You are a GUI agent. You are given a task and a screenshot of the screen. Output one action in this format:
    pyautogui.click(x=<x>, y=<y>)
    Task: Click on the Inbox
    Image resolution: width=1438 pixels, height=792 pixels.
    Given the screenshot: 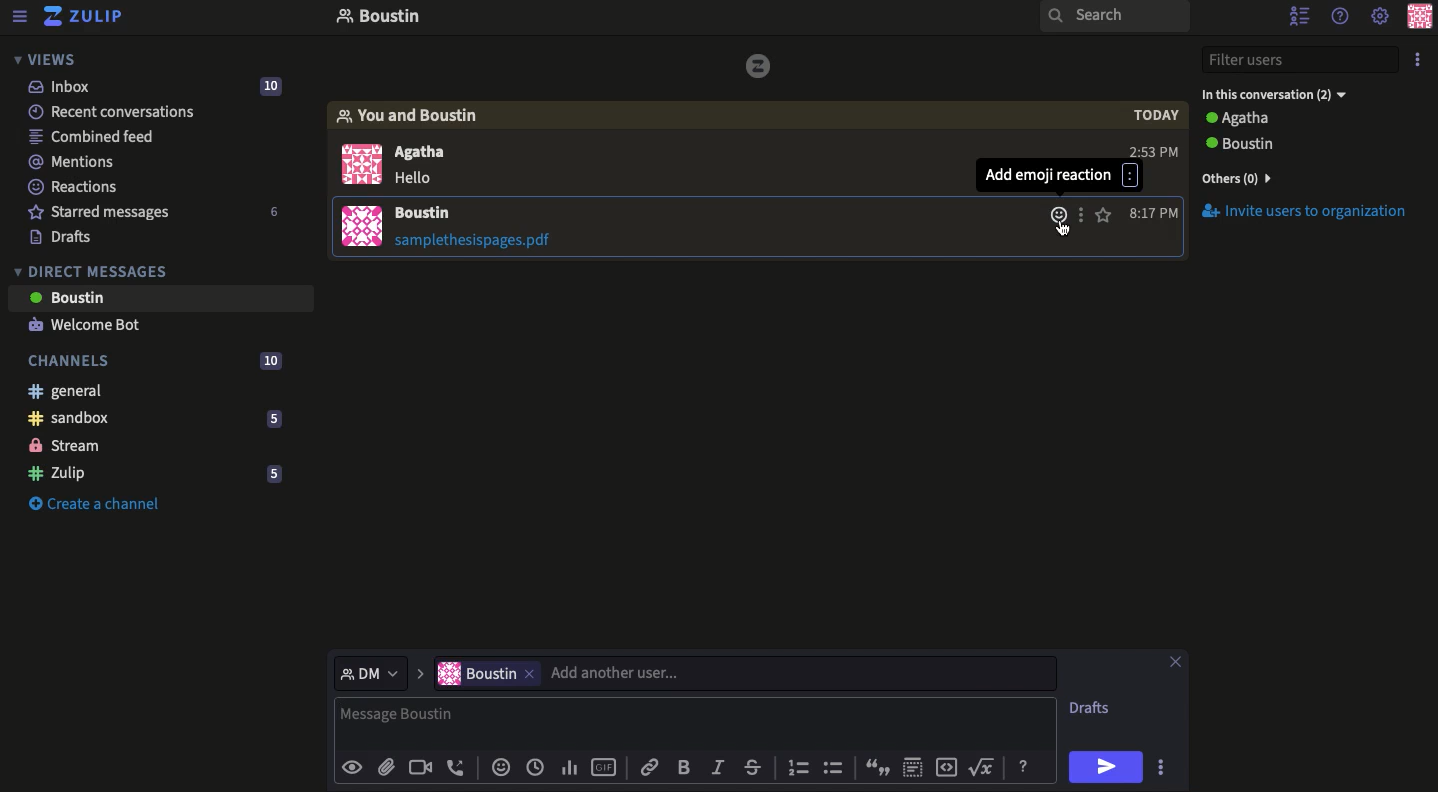 What is the action you would take?
    pyautogui.click(x=169, y=86)
    